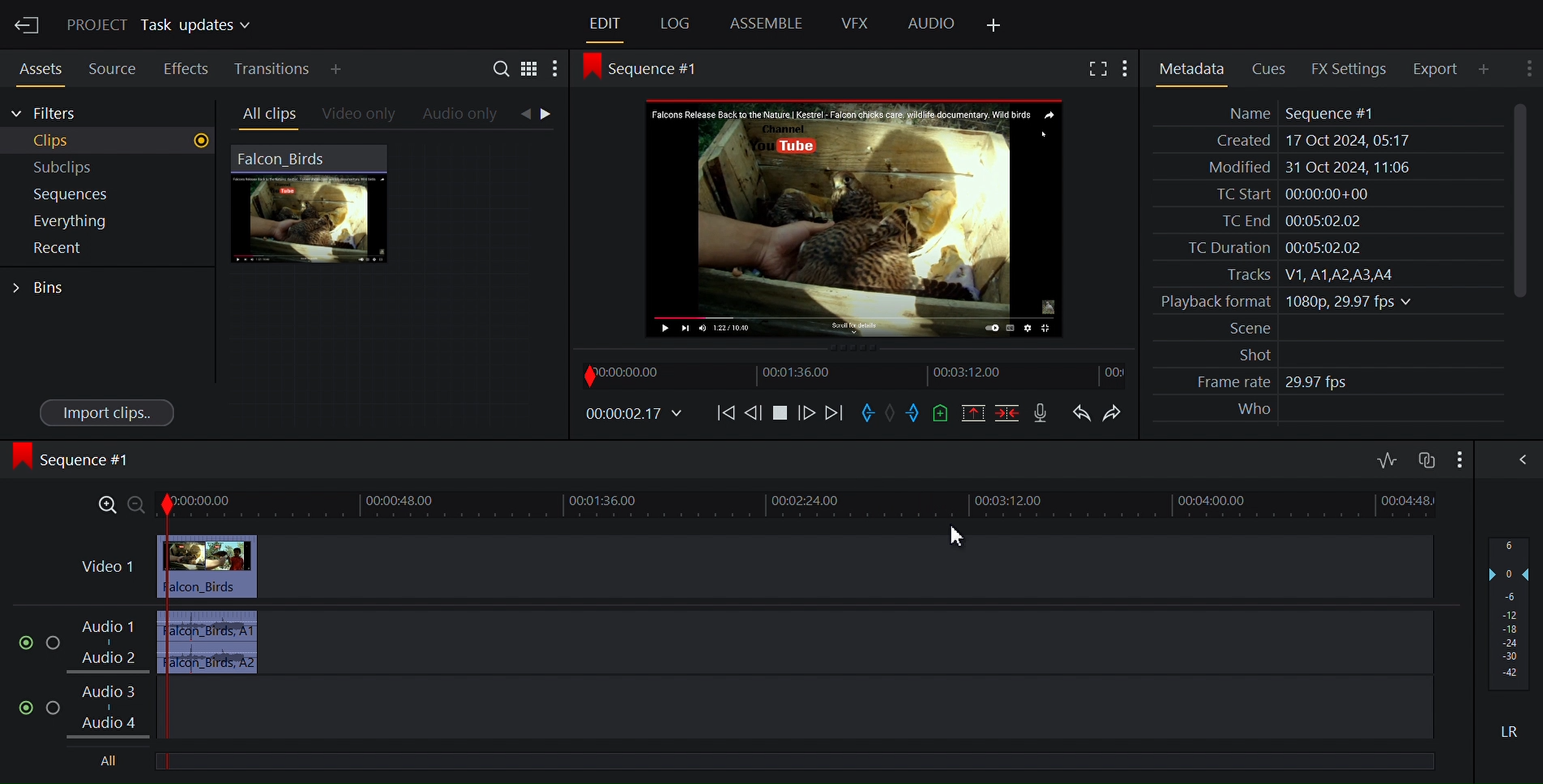 Image resolution: width=1543 pixels, height=784 pixels. What do you see at coordinates (1283, 221) in the screenshot?
I see `TC End  00:05:02.02` at bounding box center [1283, 221].